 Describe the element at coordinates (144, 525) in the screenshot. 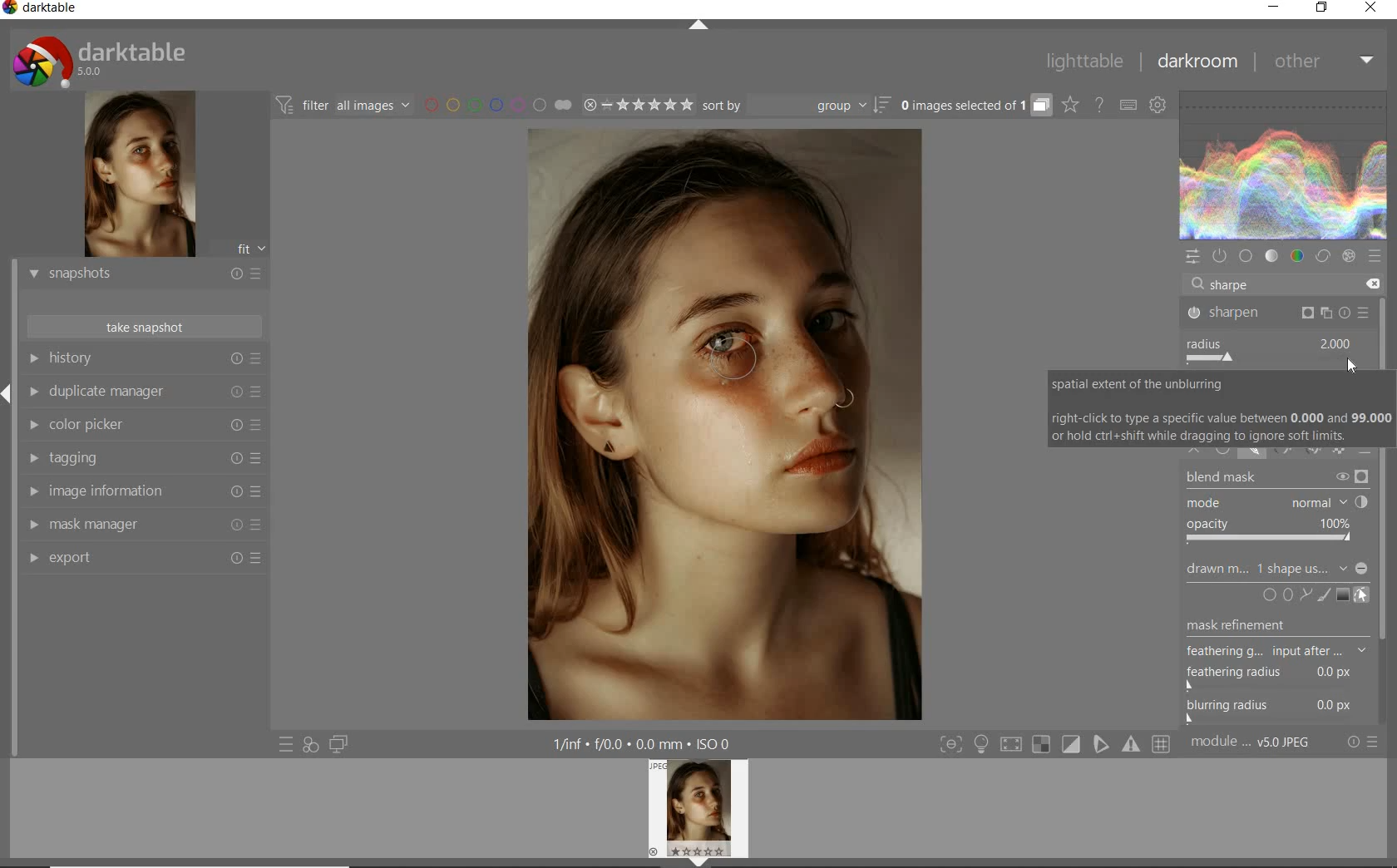

I see `mask manager` at that location.